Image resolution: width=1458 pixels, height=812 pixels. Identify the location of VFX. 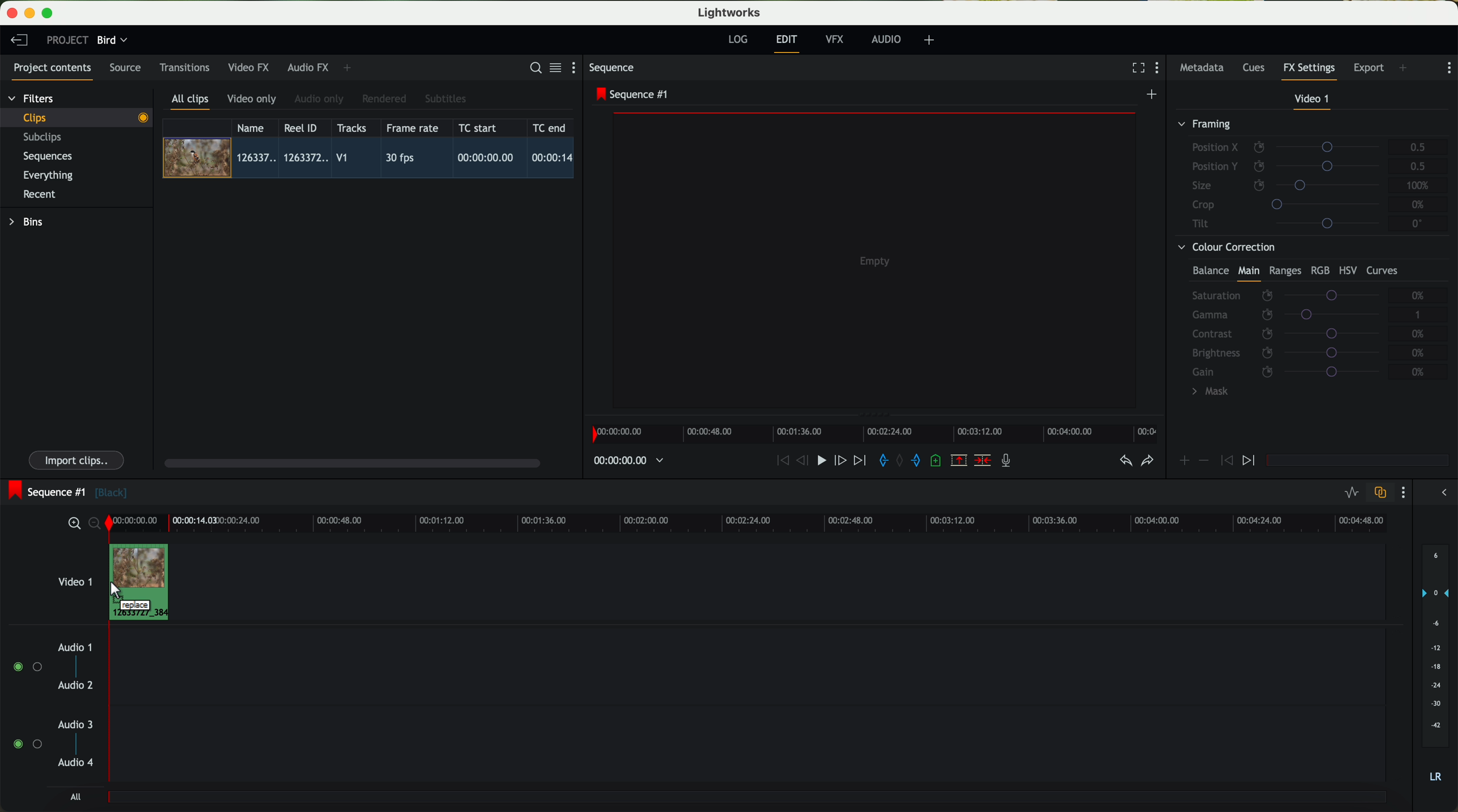
(837, 40).